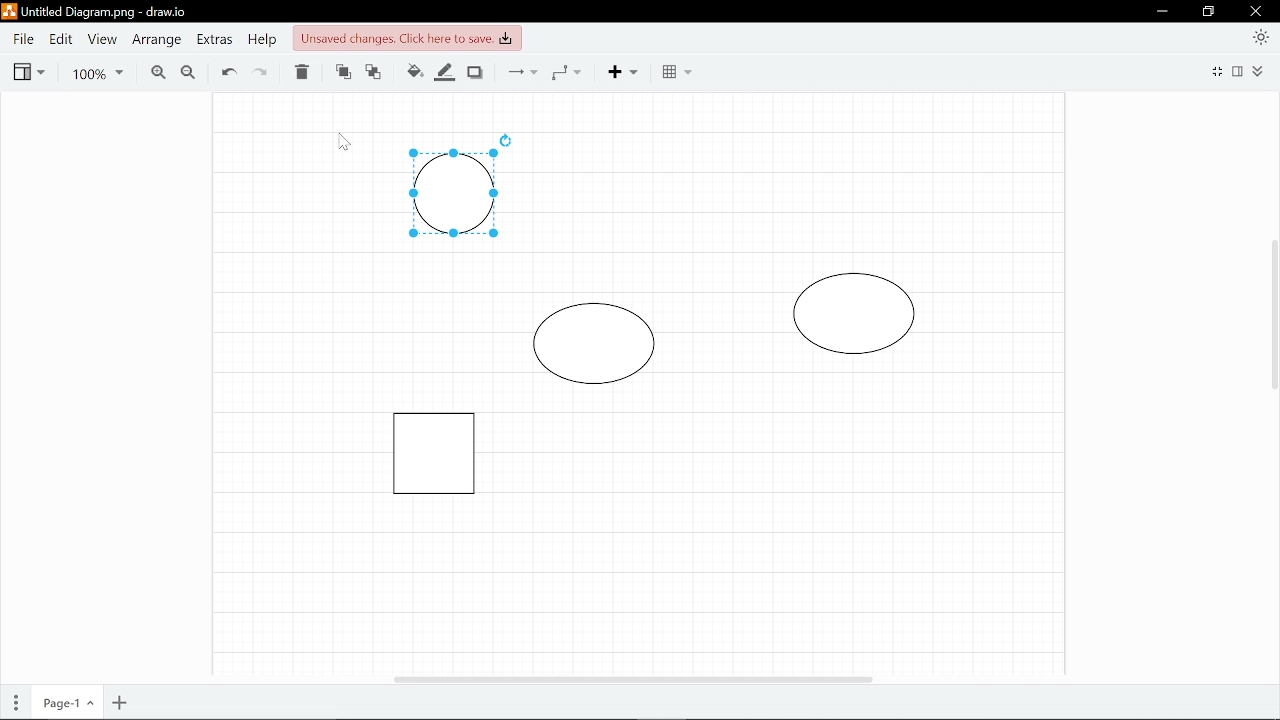 The height and width of the screenshot is (720, 1280). Describe the element at coordinates (1257, 11) in the screenshot. I see `Close window` at that location.